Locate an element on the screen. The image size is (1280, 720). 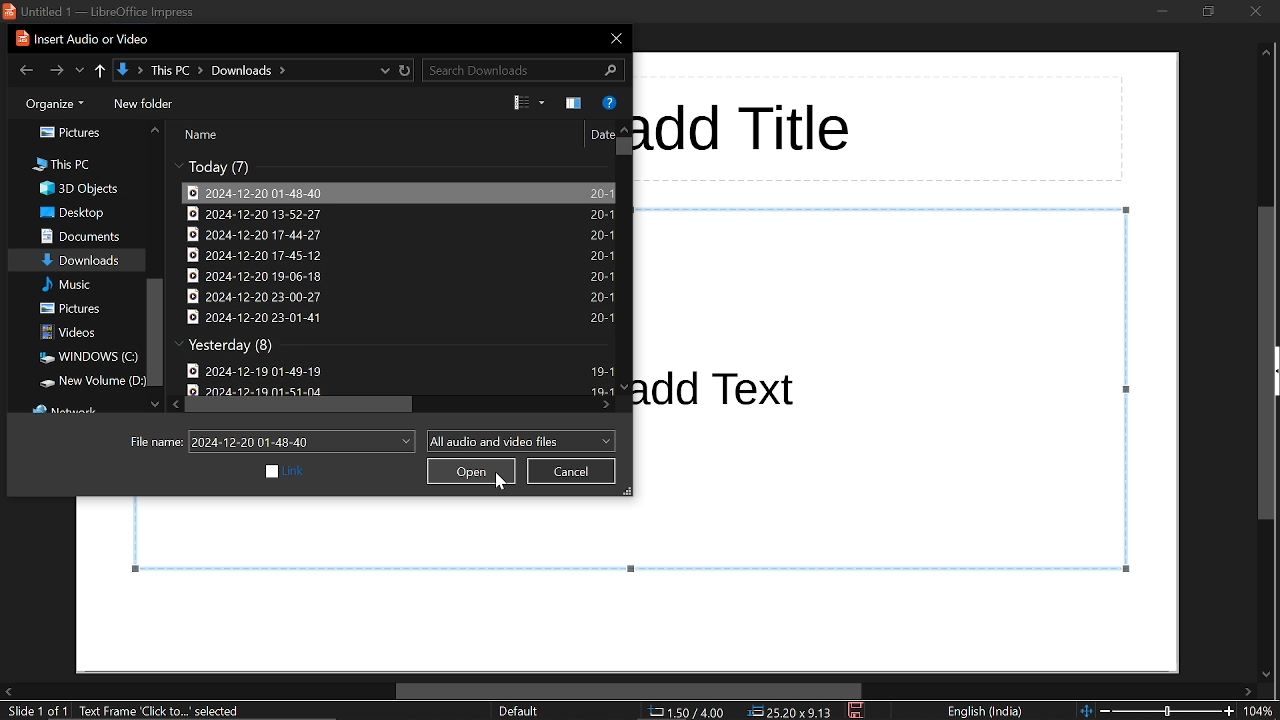
vretical scrollbar is located at coordinates (155, 333).